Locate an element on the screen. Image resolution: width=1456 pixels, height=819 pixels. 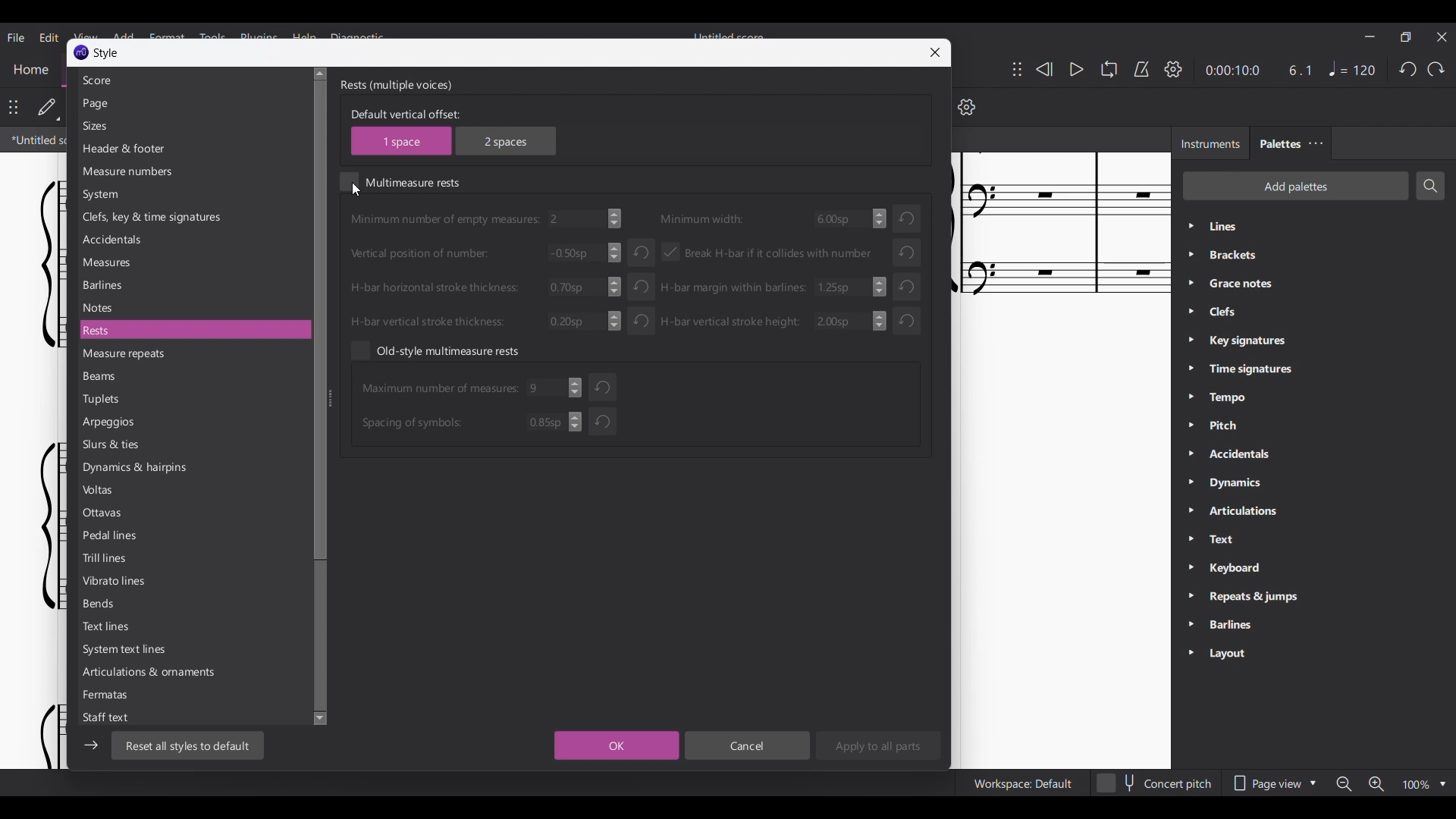
Toggle for break H-bar if it collides with number is located at coordinates (764, 251).